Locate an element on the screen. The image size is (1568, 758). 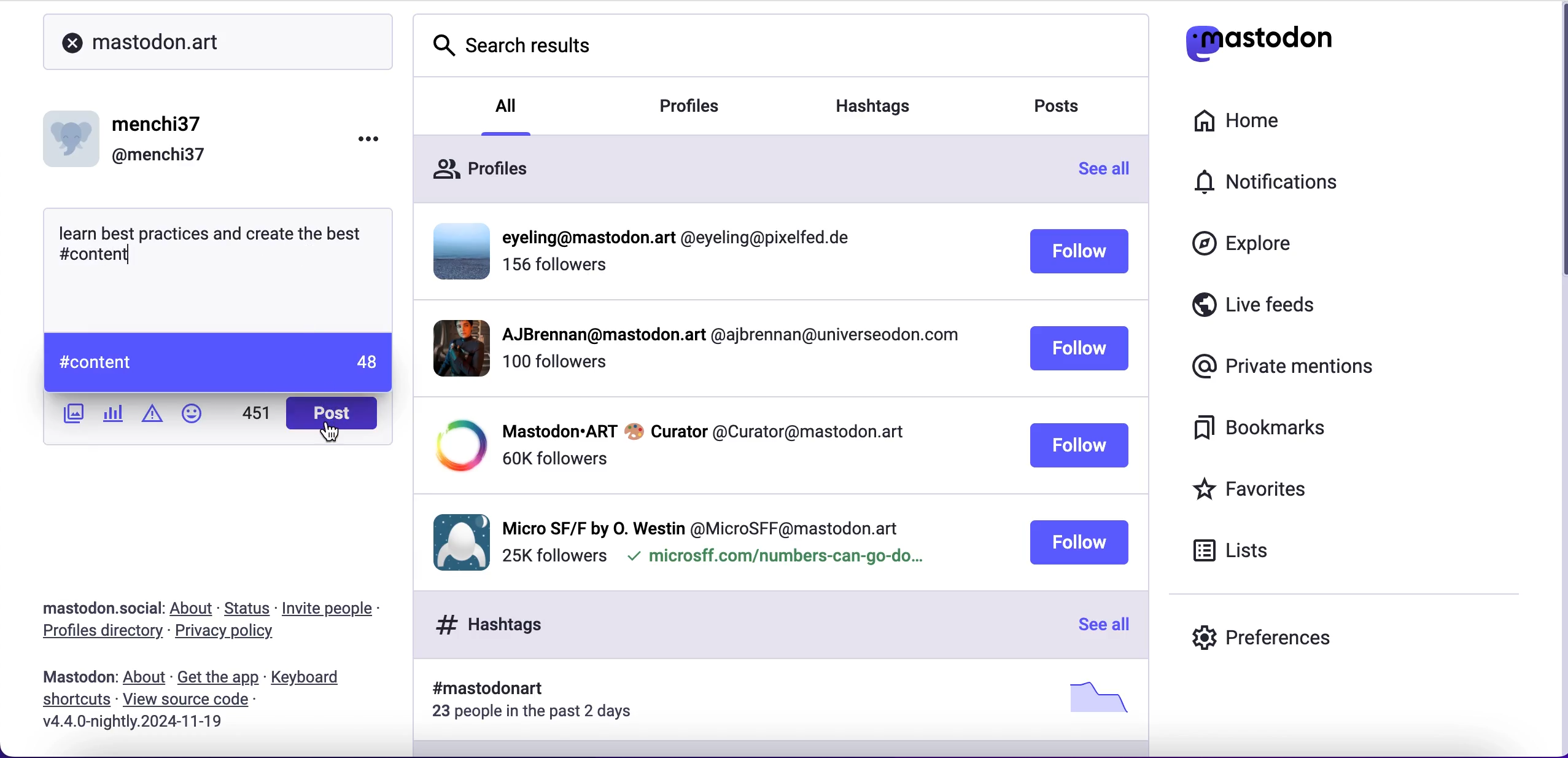
options is located at coordinates (379, 136).